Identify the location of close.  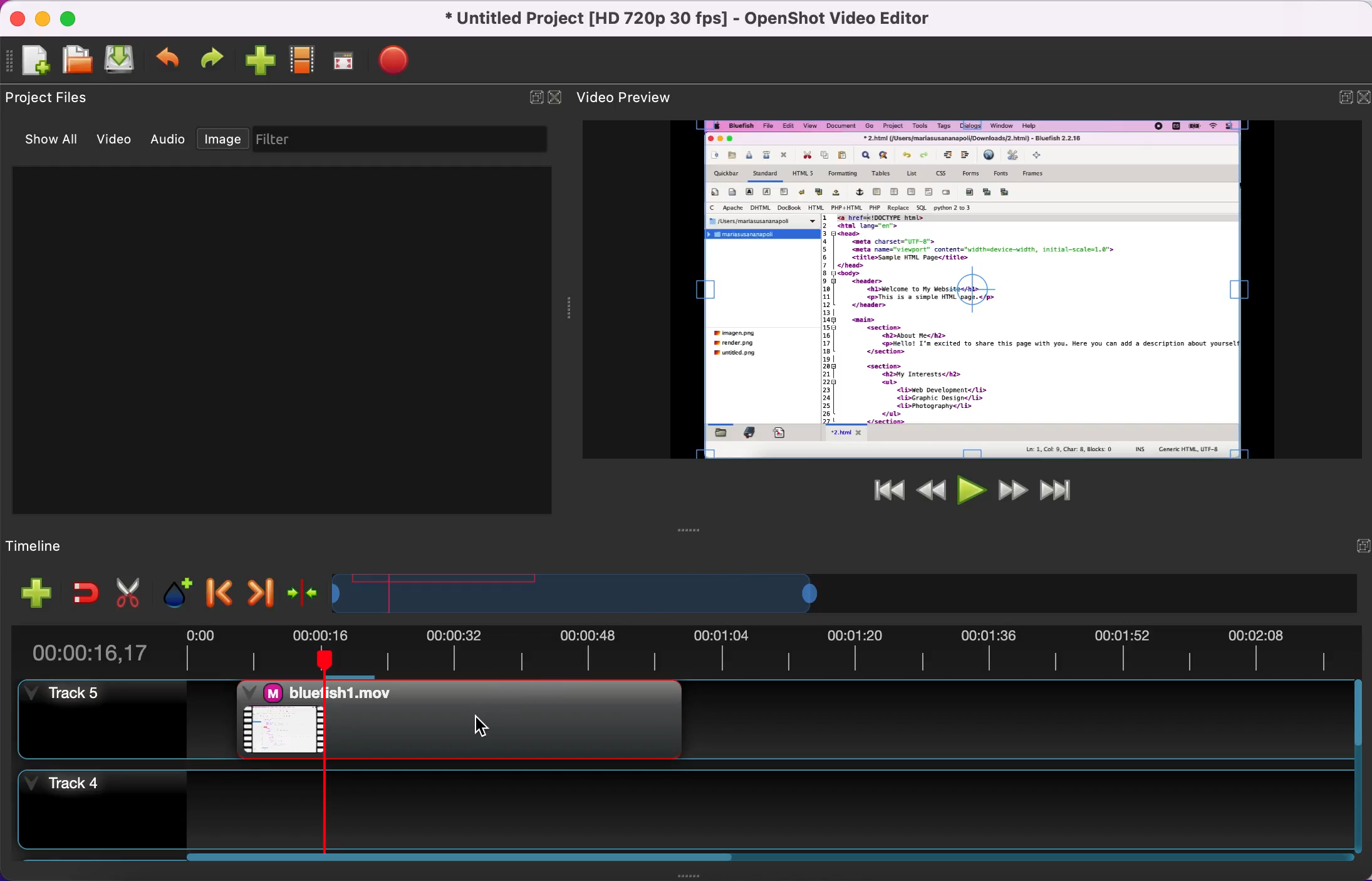
(1361, 98).